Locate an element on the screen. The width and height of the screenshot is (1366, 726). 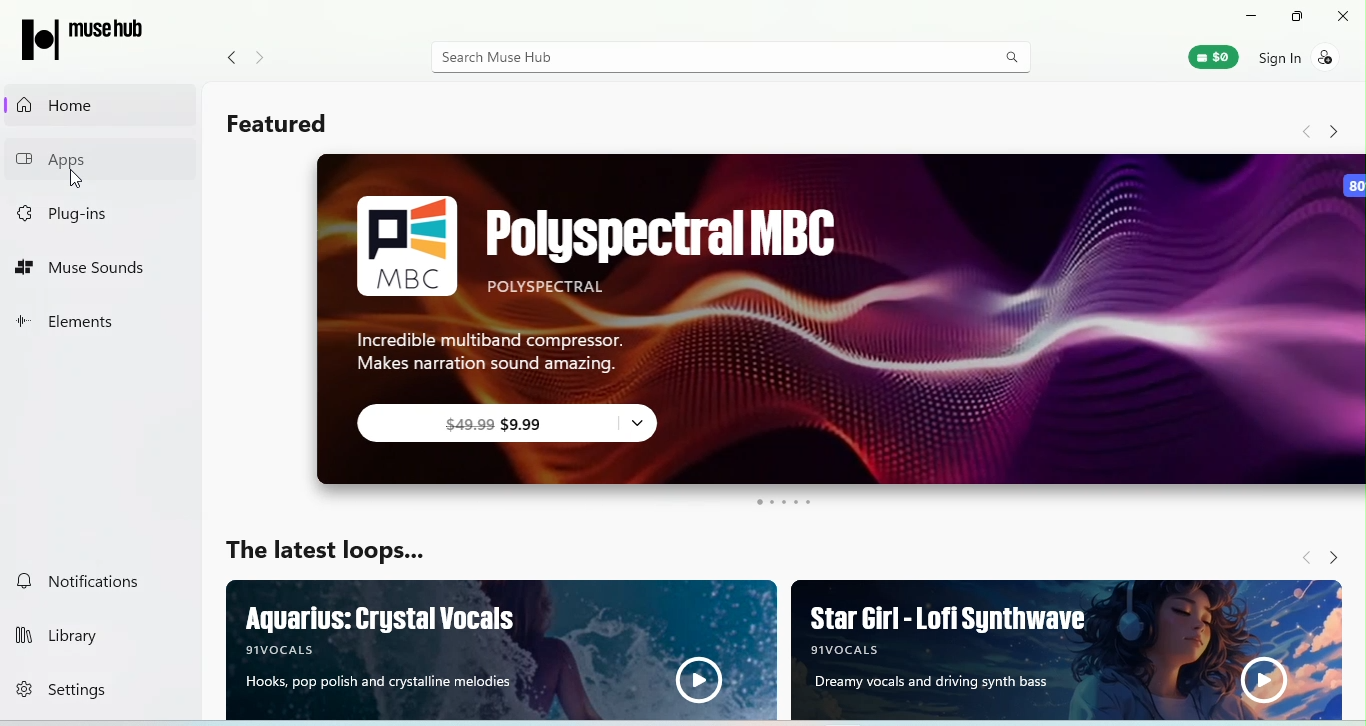
J
Incredible multiband compressor.
Makes narration sound amazing. is located at coordinates (495, 350).